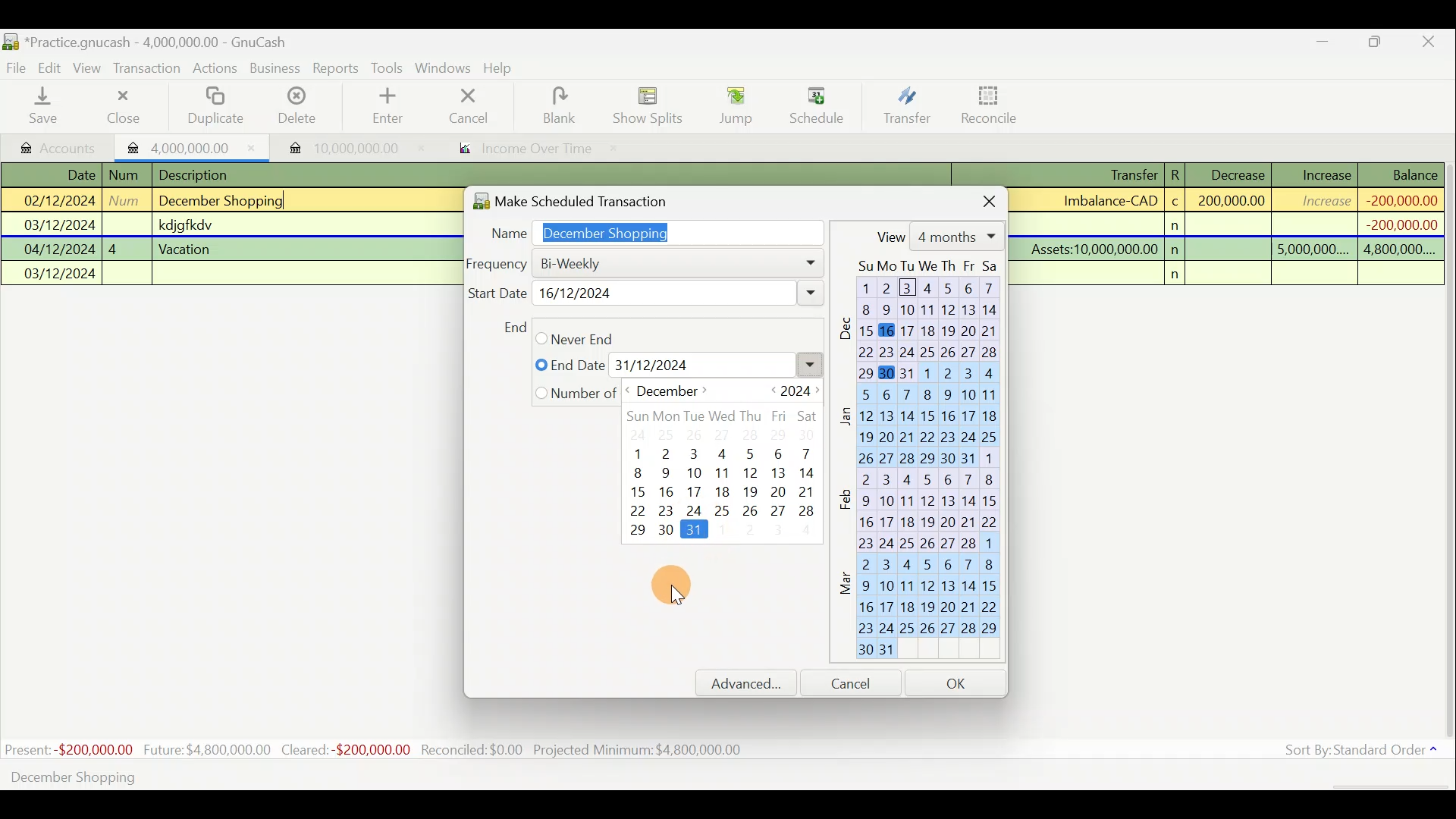 This screenshot has width=1456, height=819. What do you see at coordinates (389, 68) in the screenshot?
I see `Tools` at bounding box center [389, 68].